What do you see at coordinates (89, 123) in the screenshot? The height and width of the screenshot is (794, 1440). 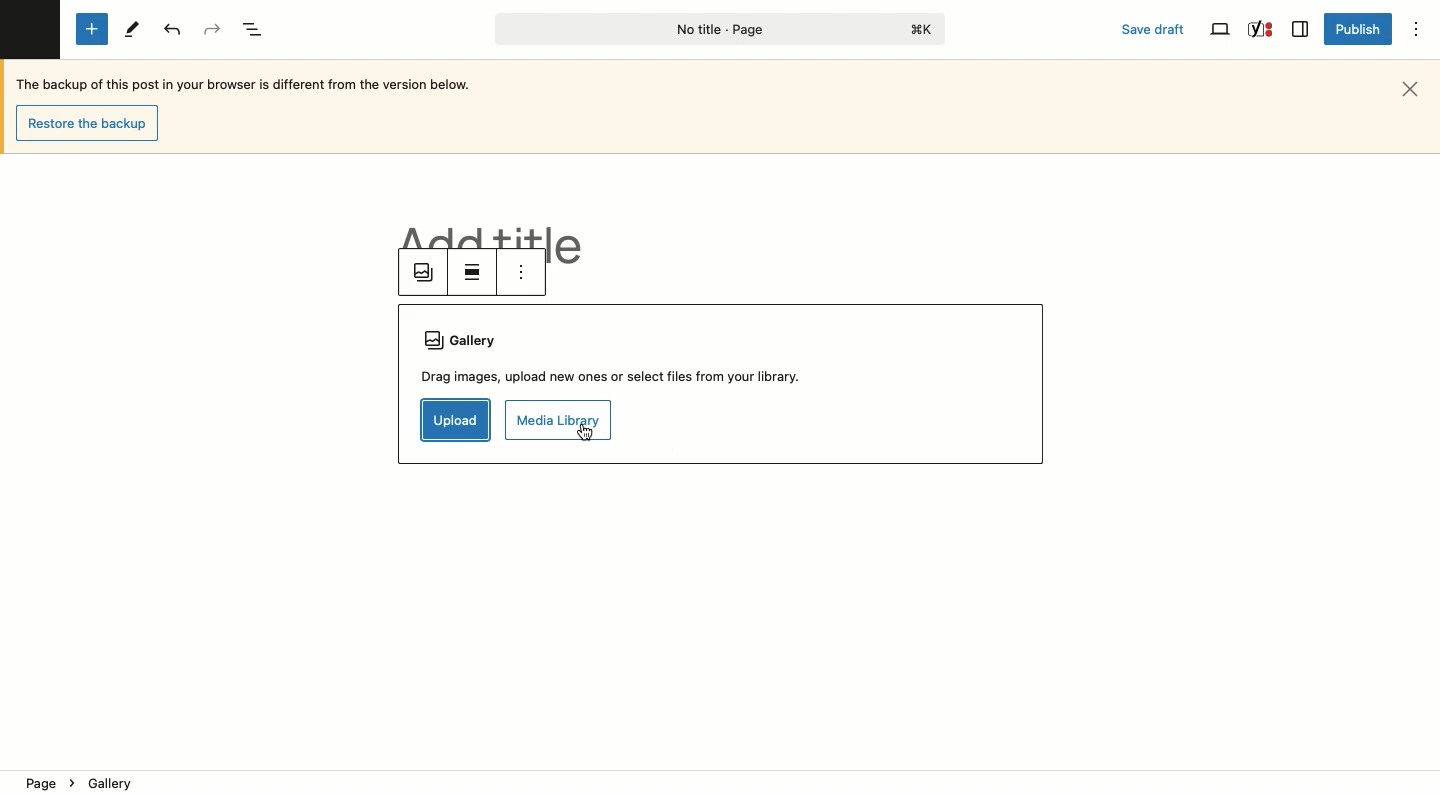 I see `Restore the backup` at bounding box center [89, 123].